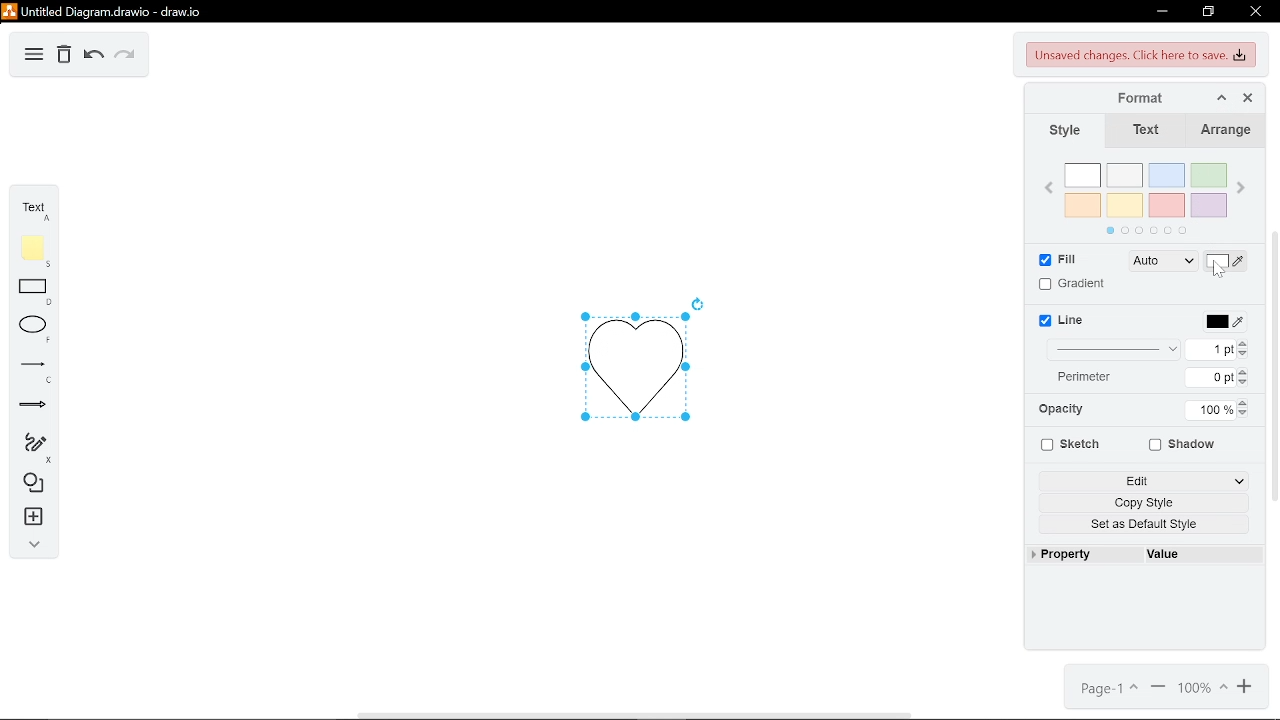 The width and height of the screenshot is (1280, 720). What do you see at coordinates (1219, 349) in the screenshot?
I see `1pt` at bounding box center [1219, 349].